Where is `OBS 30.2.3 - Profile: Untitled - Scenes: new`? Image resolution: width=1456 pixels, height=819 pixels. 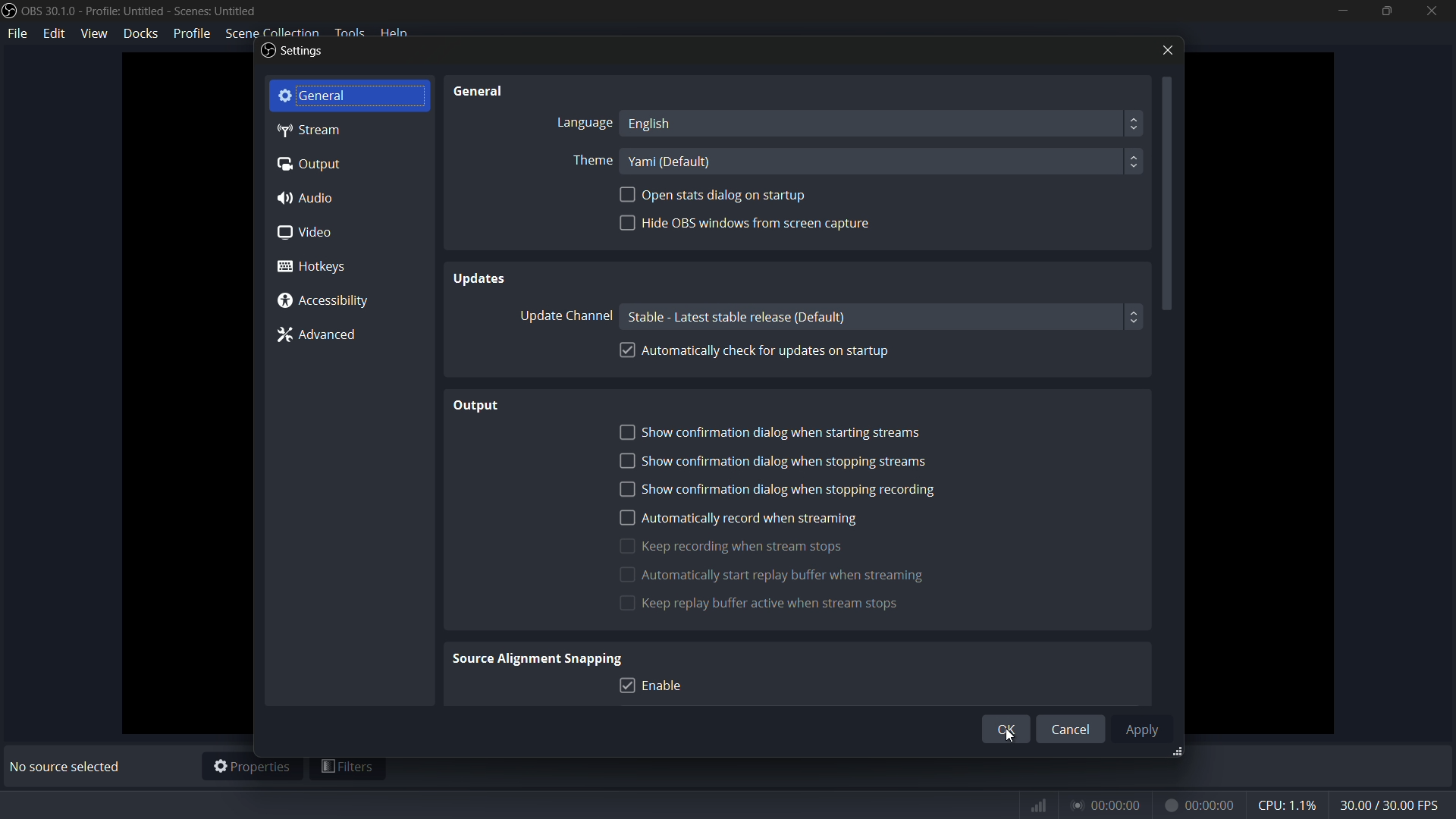
OBS 30.2.3 - Profile: Untitled - Scenes: new is located at coordinates (159, 11).